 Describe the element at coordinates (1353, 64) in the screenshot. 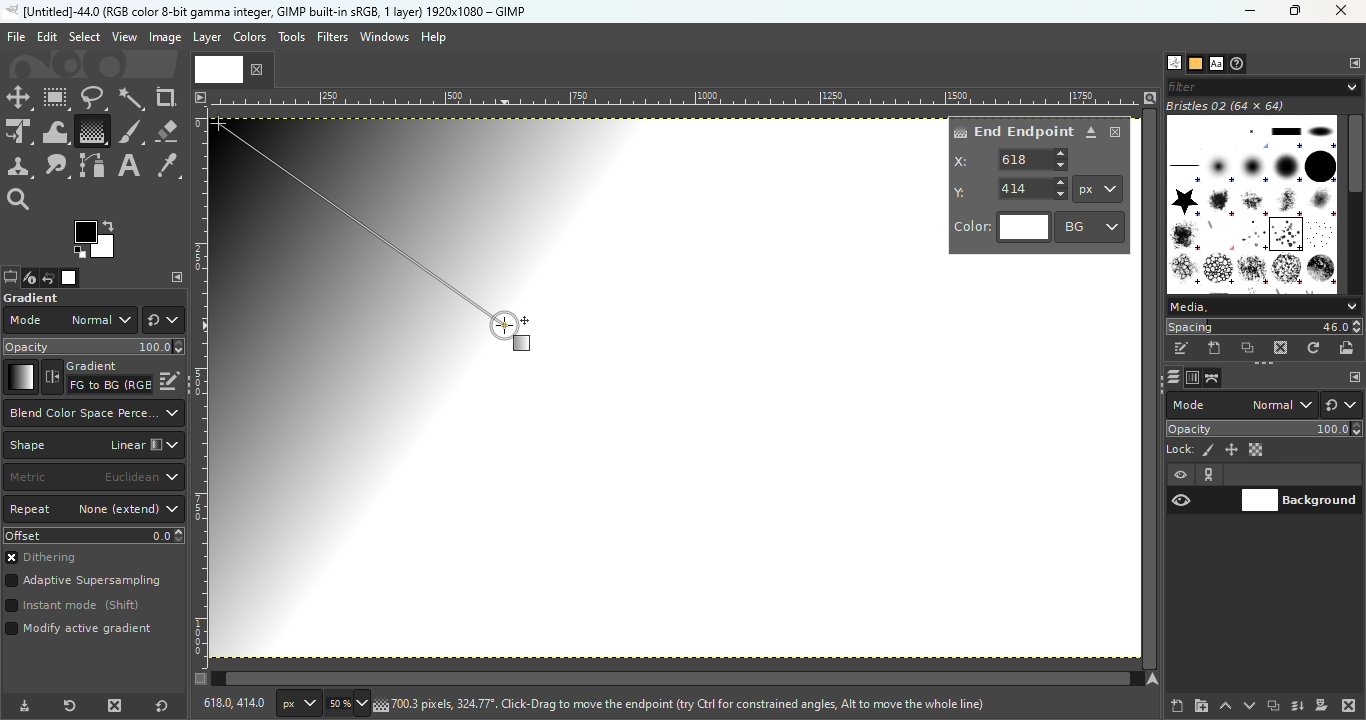

I see `Configure this tab` at that location.